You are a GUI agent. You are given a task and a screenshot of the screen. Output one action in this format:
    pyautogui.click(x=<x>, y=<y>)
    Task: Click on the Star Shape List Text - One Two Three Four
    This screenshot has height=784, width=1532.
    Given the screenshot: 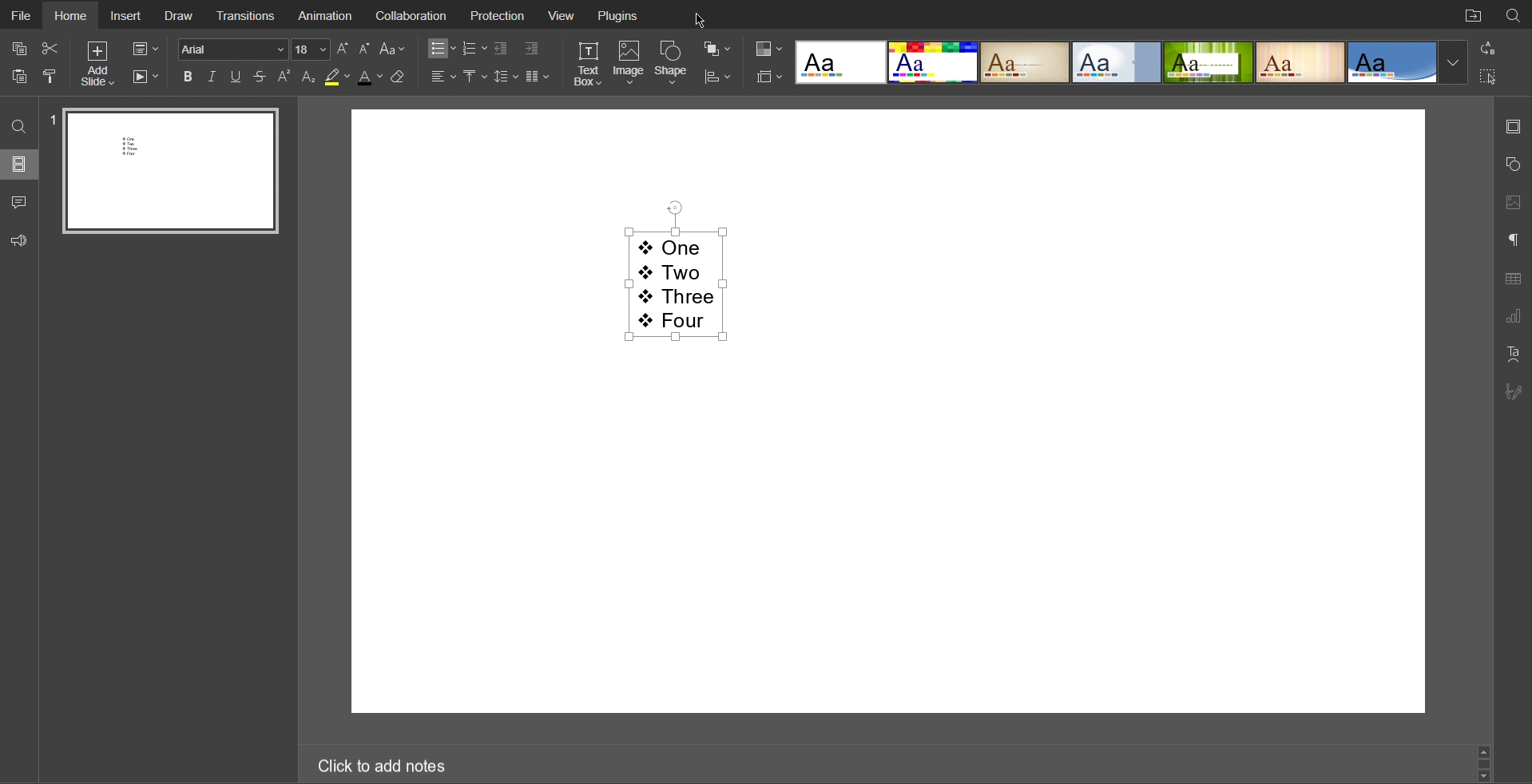 What is the action you would take?
    pyautogui.click(x=687, y=291)
    